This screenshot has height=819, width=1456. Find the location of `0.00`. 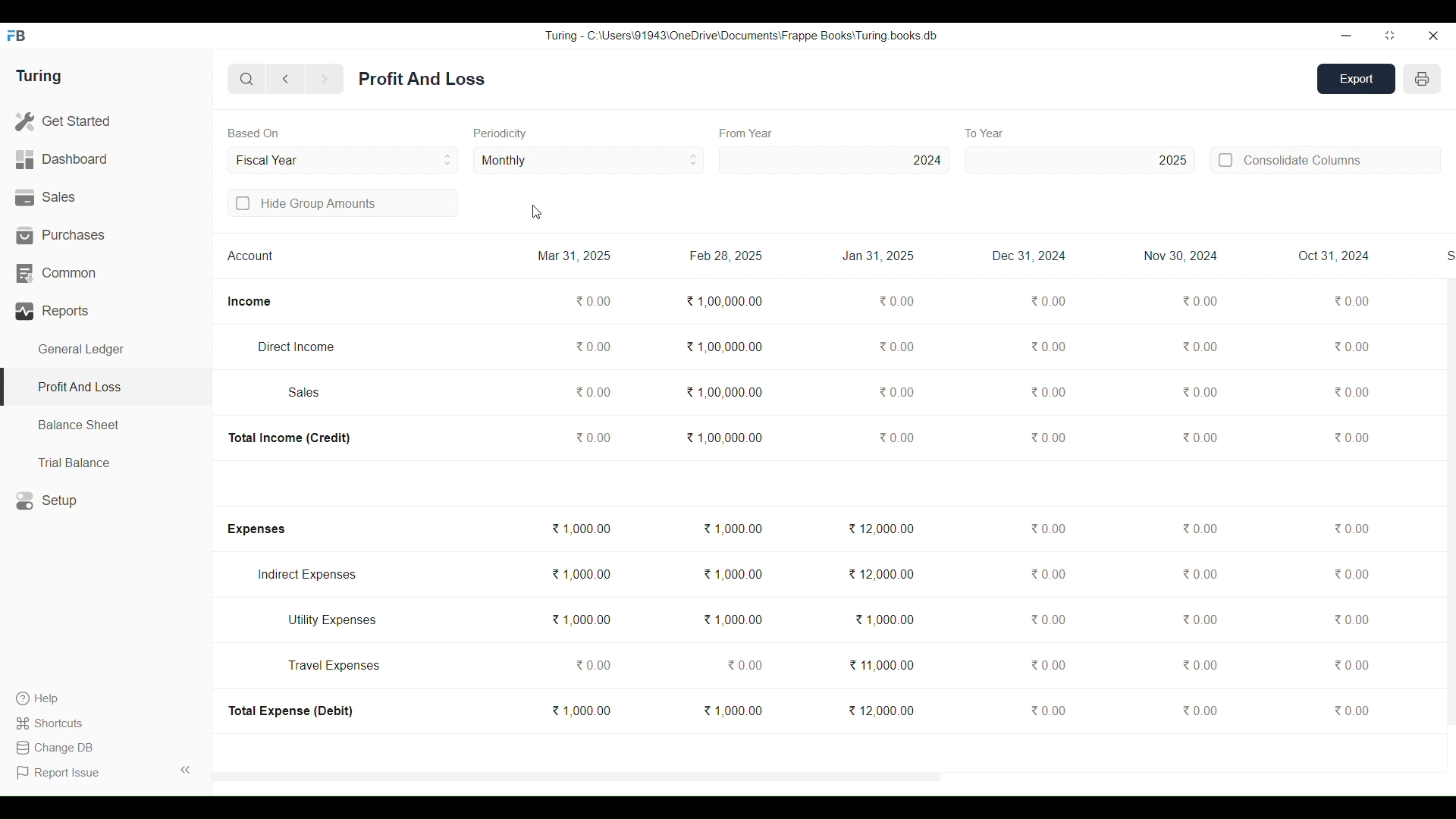

0.00 is located at coordinates (593, 300).